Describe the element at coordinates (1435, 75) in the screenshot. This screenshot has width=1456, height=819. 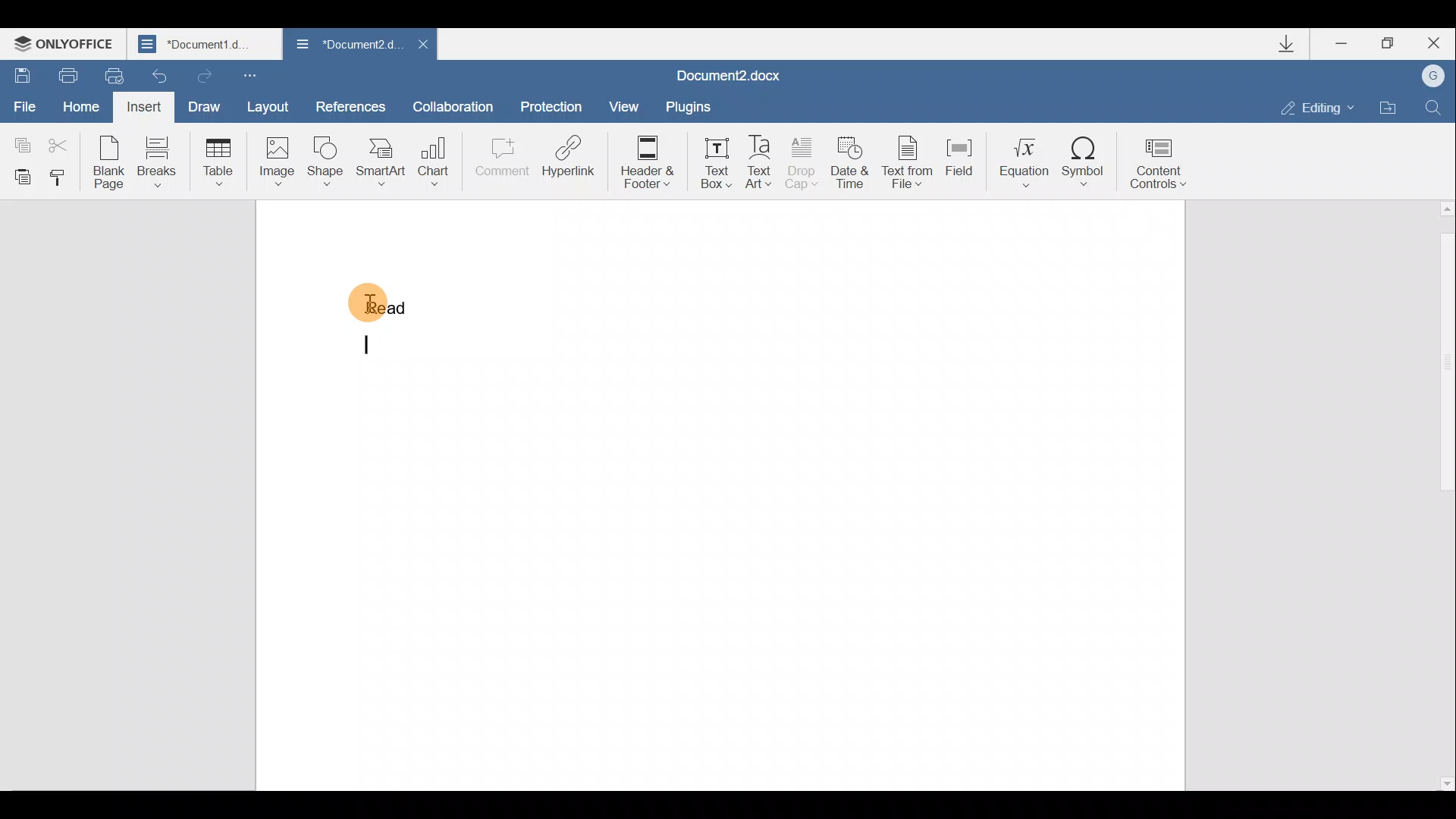
I see `G` at that location.